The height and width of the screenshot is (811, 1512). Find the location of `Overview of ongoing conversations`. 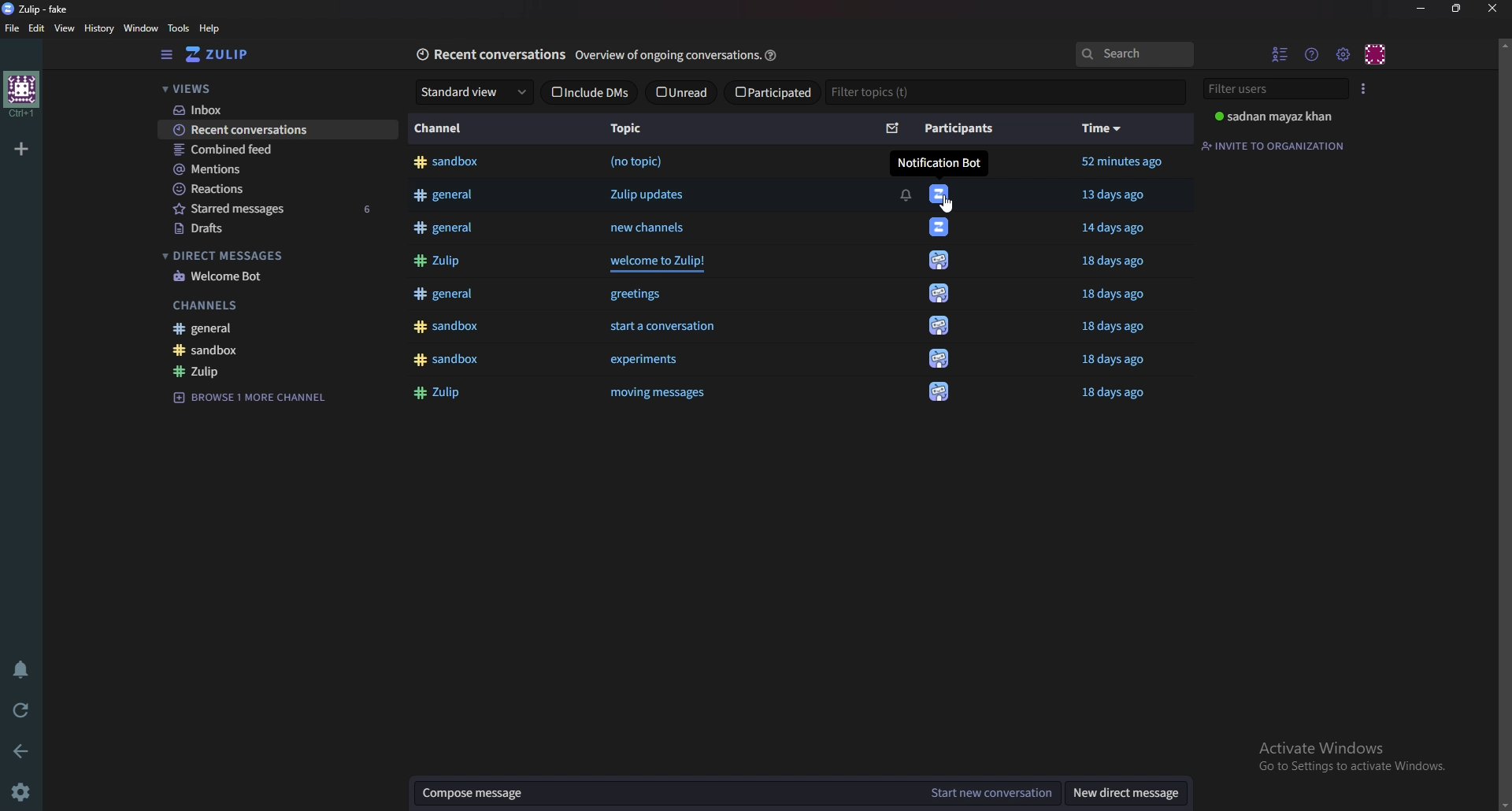

Overview of ongoing conversations is located at coordinates (667, 56).